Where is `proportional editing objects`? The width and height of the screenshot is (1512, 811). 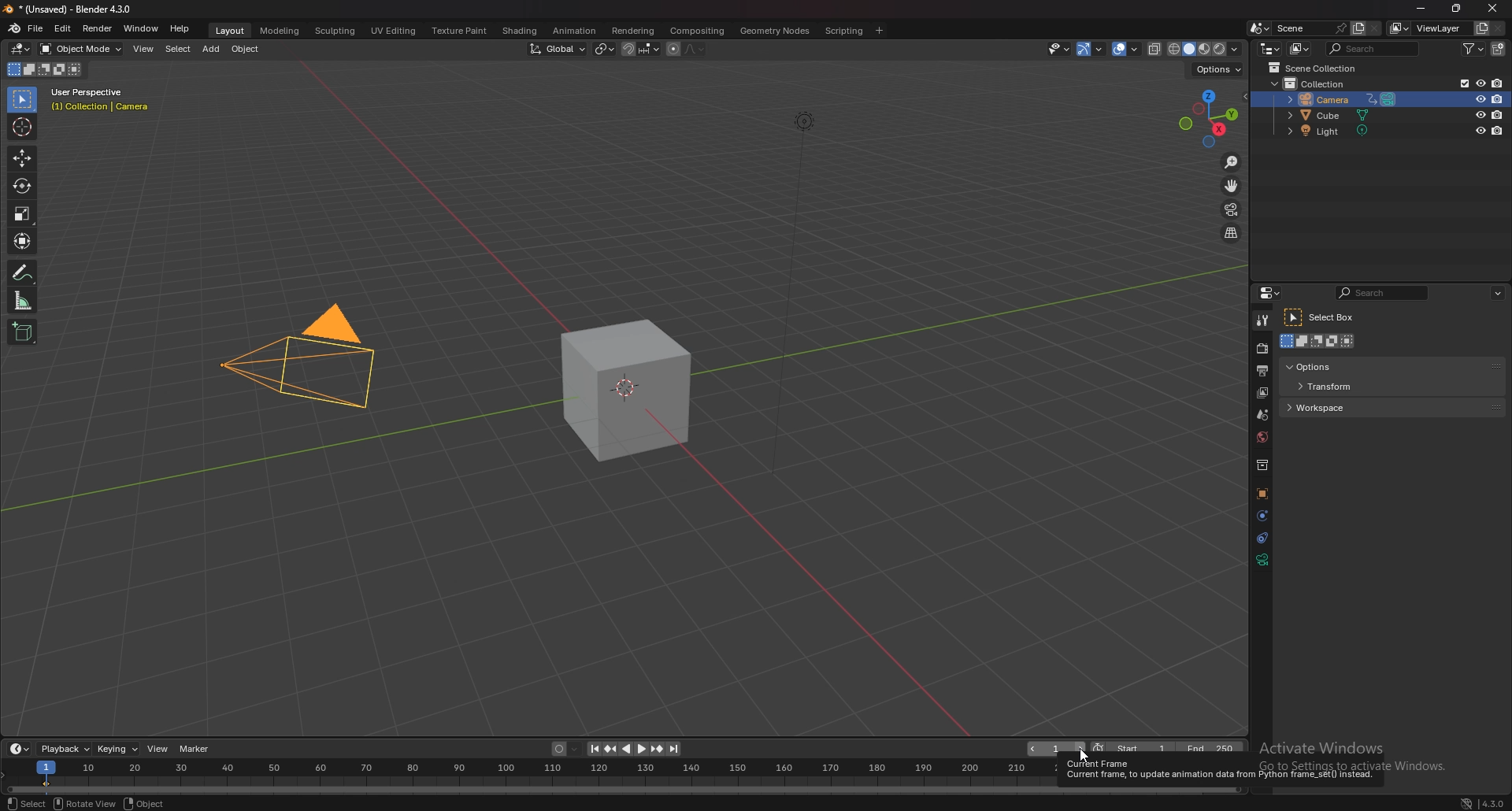
proportional editing objects is located at coordinates (670, 49).